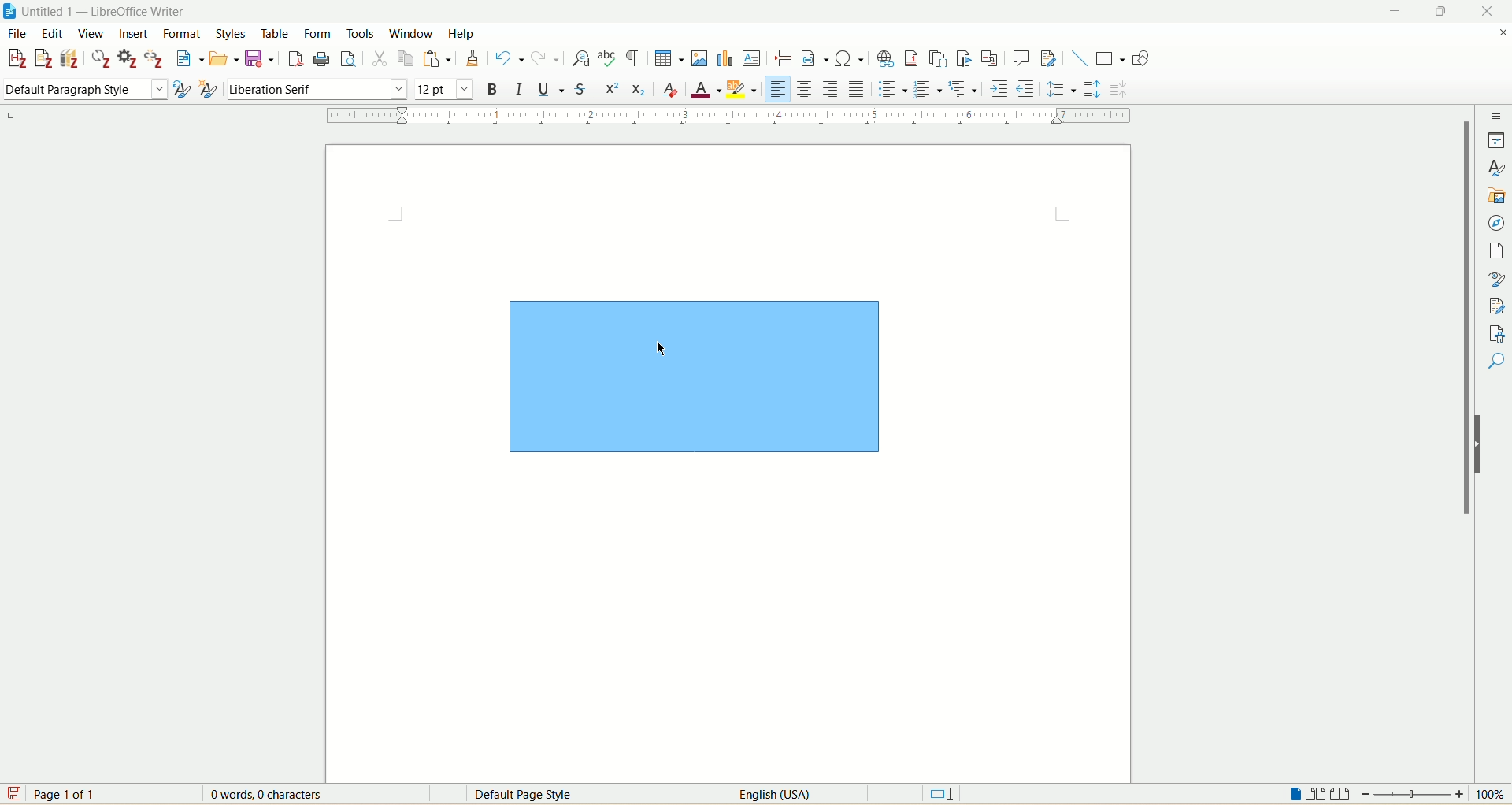 This screenshot has width=1512, height=805. Describe the element at coordinates (379, 57) in the screenshot. I see `cut` at that location.